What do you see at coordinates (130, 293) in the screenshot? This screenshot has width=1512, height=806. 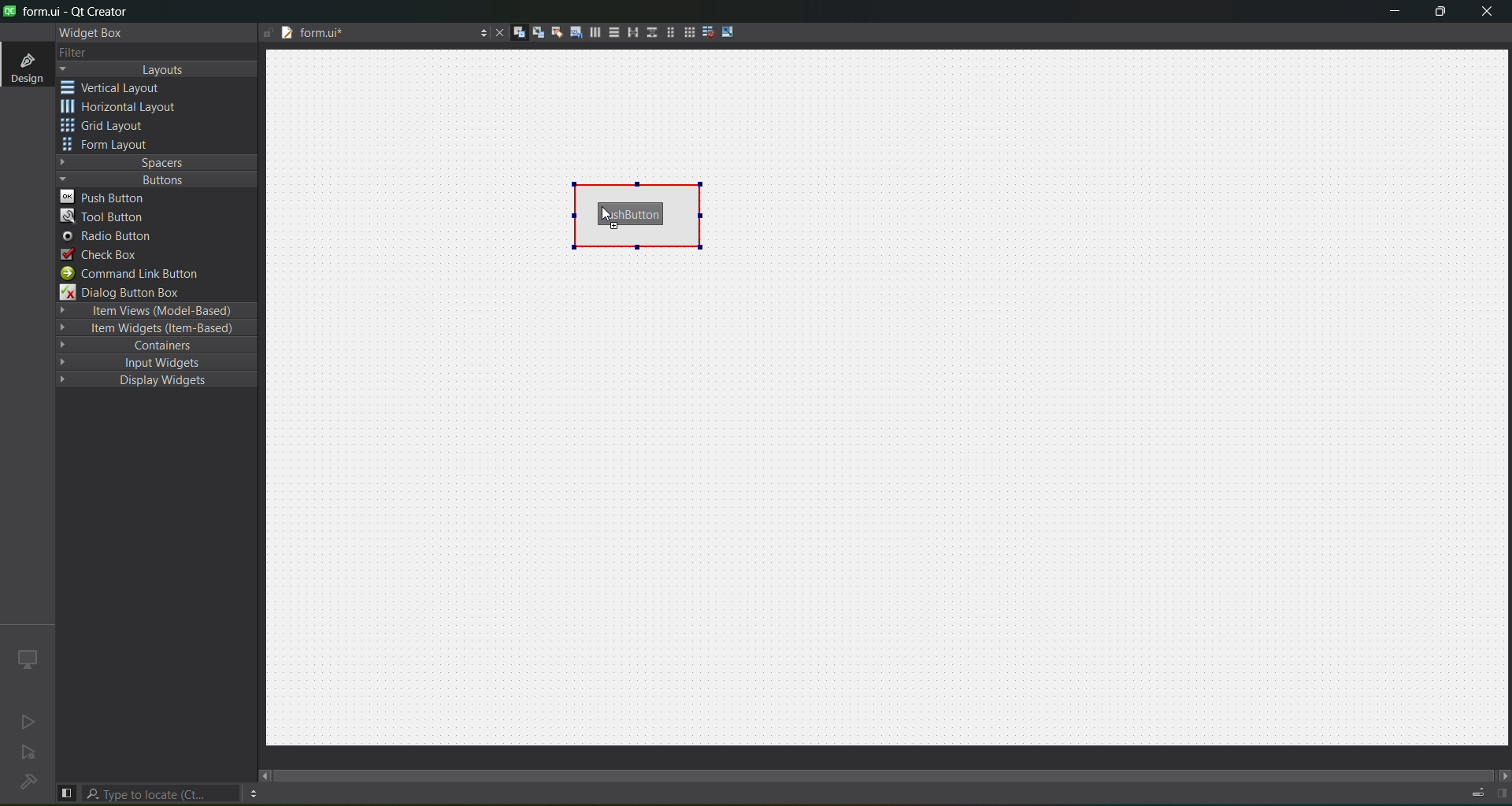 I see `dialog button box` at bounding box center [130, 293].